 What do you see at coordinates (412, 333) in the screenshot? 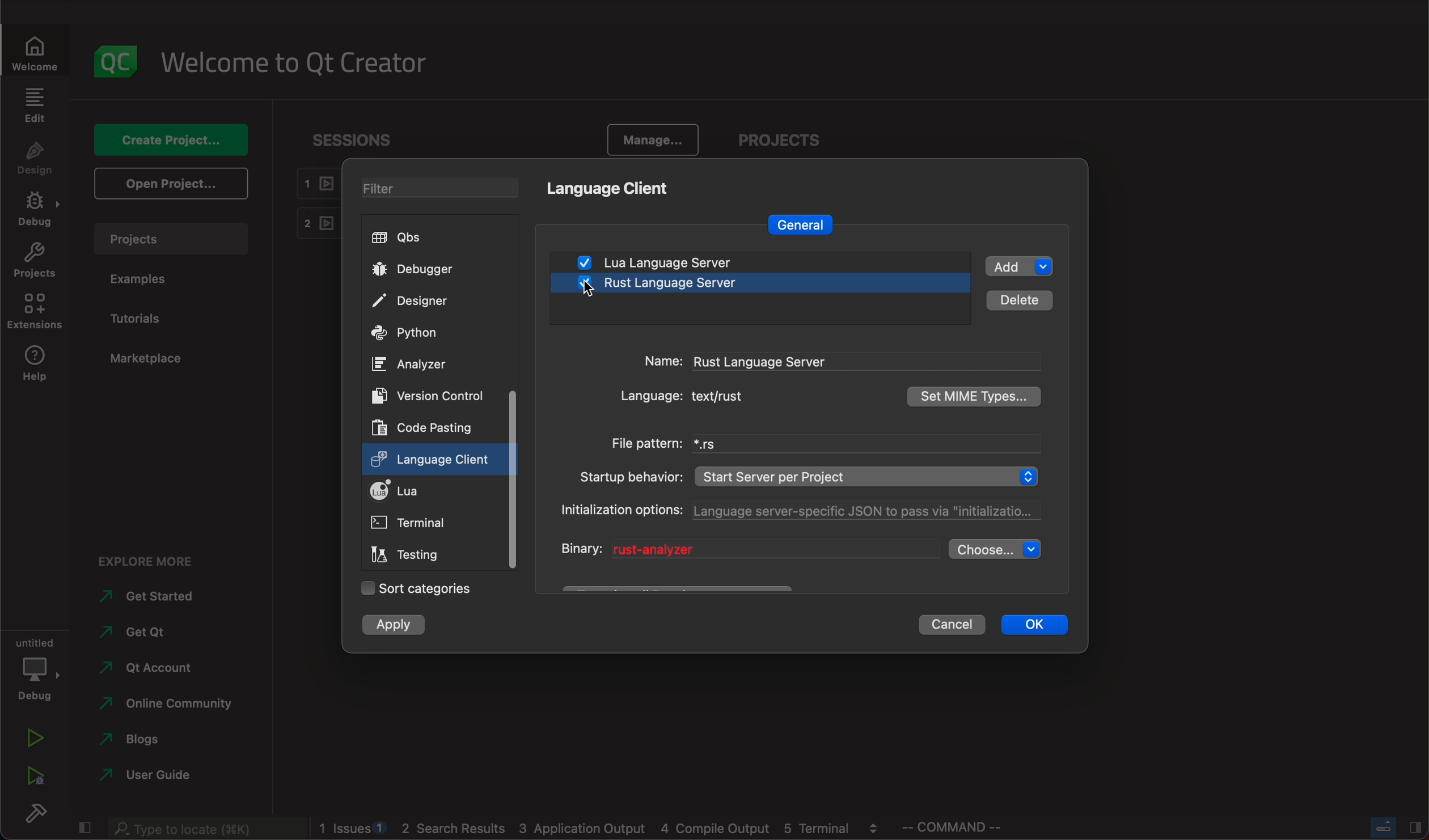
I see `python` at bounding box center [412, 333].